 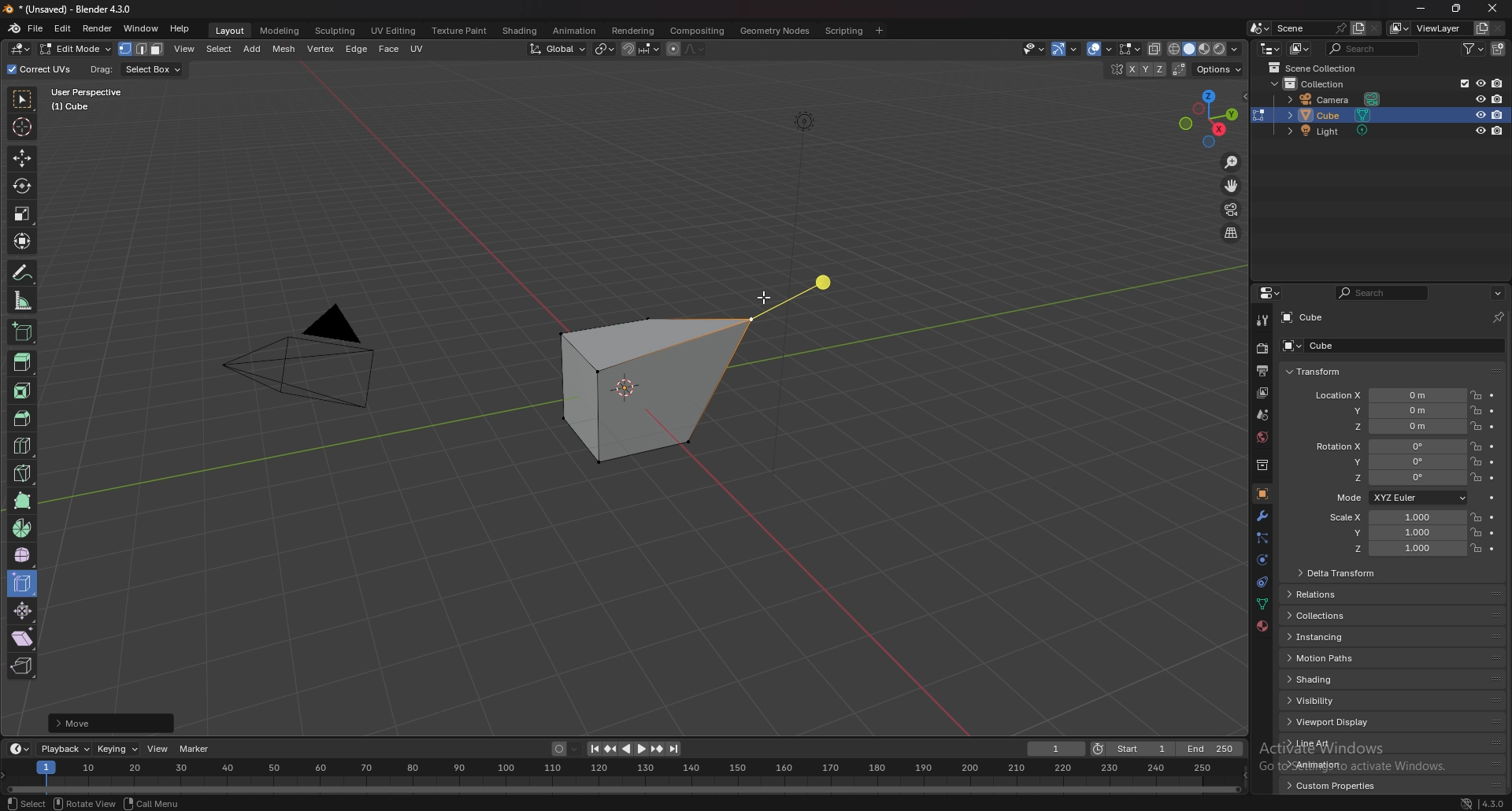 What do you see at coordinates (880, 31) in the screenshot?
I see `add workspace` at bounding box center [880, 31].